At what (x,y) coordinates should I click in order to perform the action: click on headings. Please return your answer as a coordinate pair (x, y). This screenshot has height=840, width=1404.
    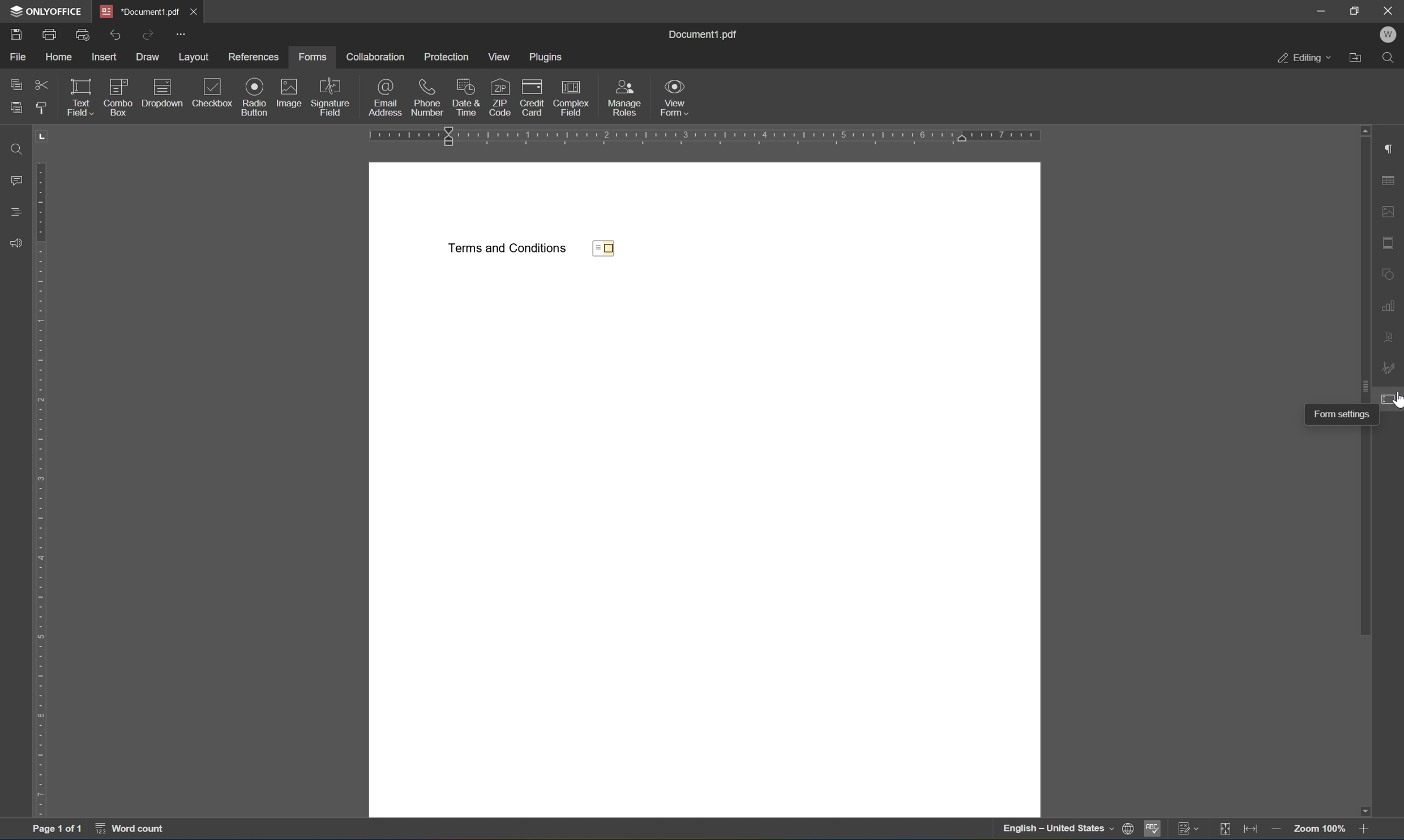
    Looking at the image, I should click on (16, 211).